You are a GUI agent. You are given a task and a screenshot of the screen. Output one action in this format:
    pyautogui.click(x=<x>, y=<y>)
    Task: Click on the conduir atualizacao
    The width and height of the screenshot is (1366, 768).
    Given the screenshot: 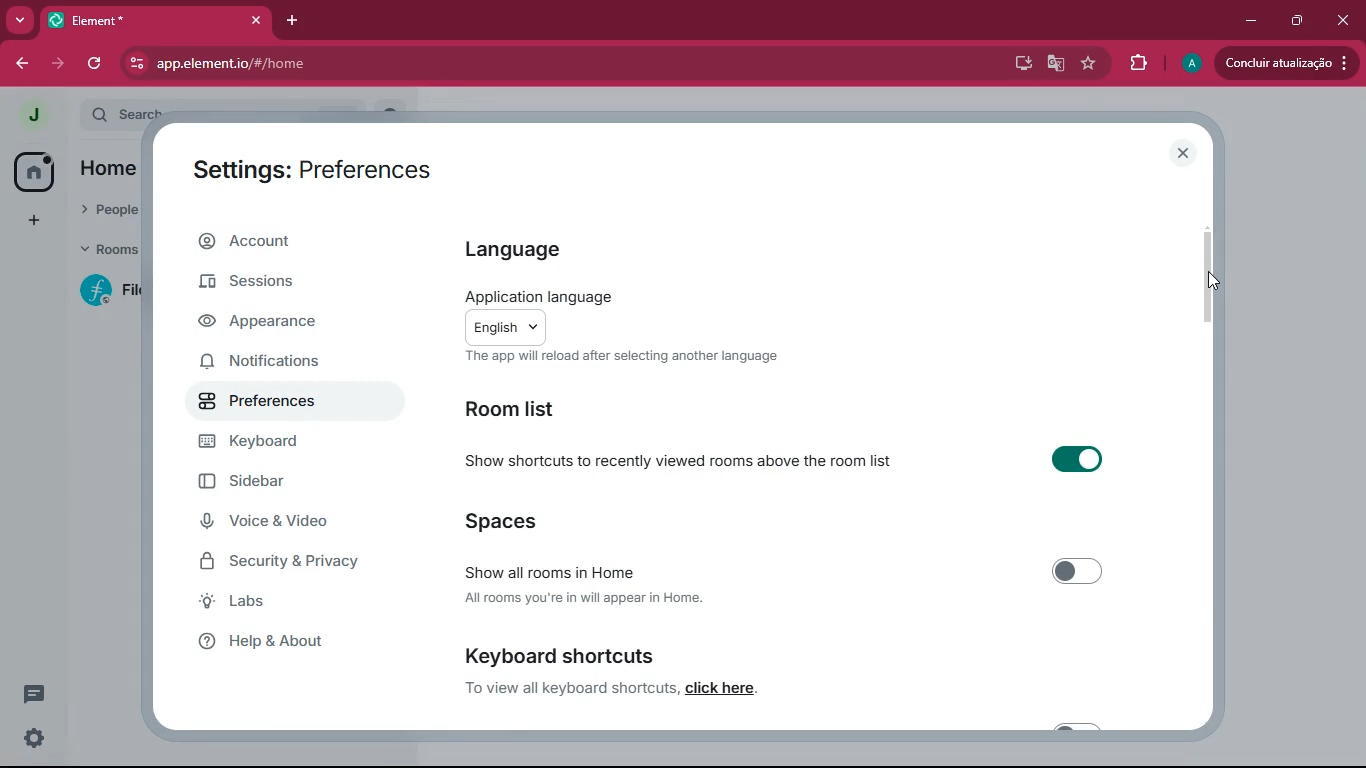 What is the action you would take?
    pyautogui.click(x=1285, y=63)
    